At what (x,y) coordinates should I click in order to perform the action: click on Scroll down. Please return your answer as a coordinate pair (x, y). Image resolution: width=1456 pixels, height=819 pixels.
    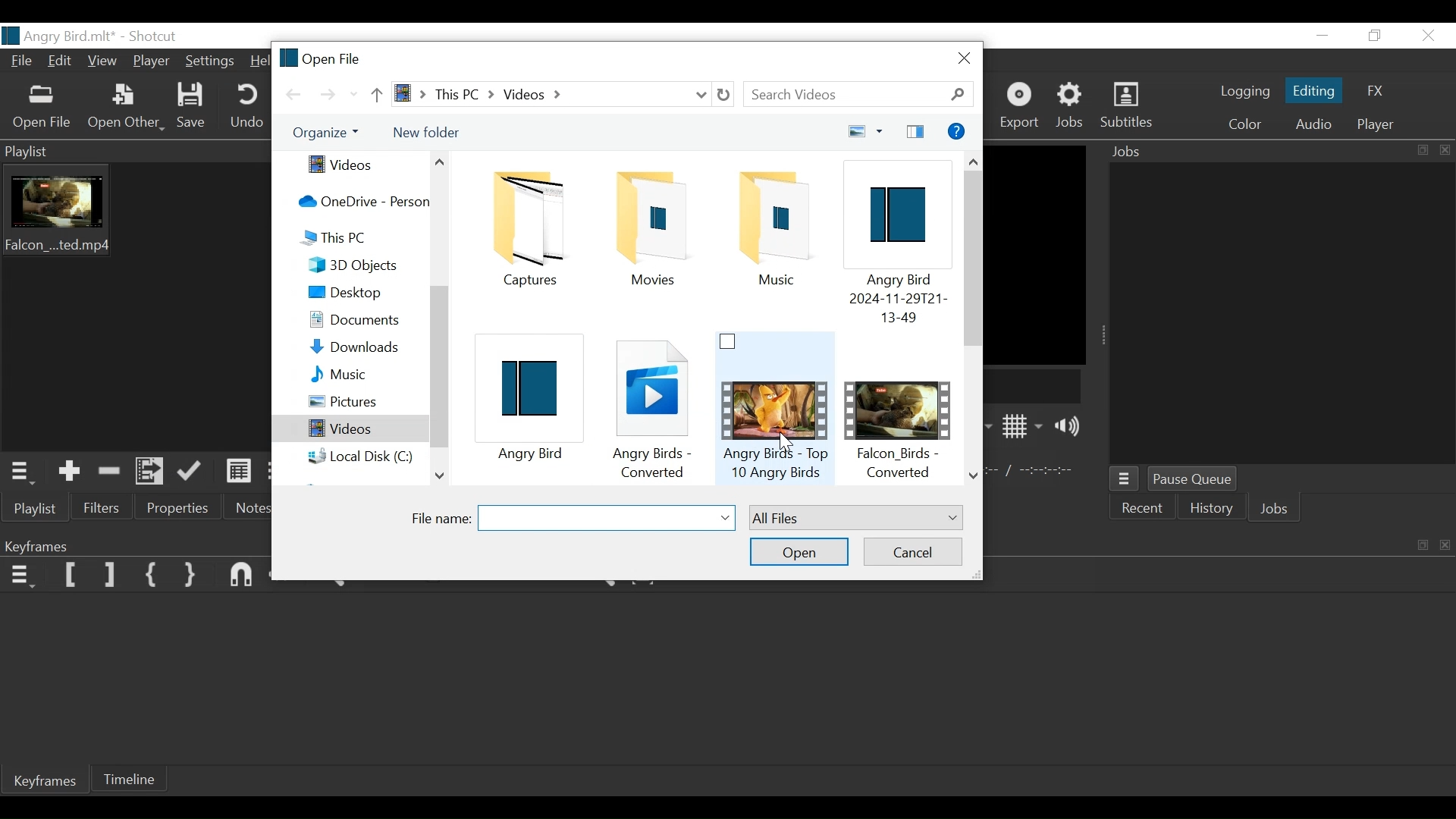
    Looking at the image, I should click on (974, 476).